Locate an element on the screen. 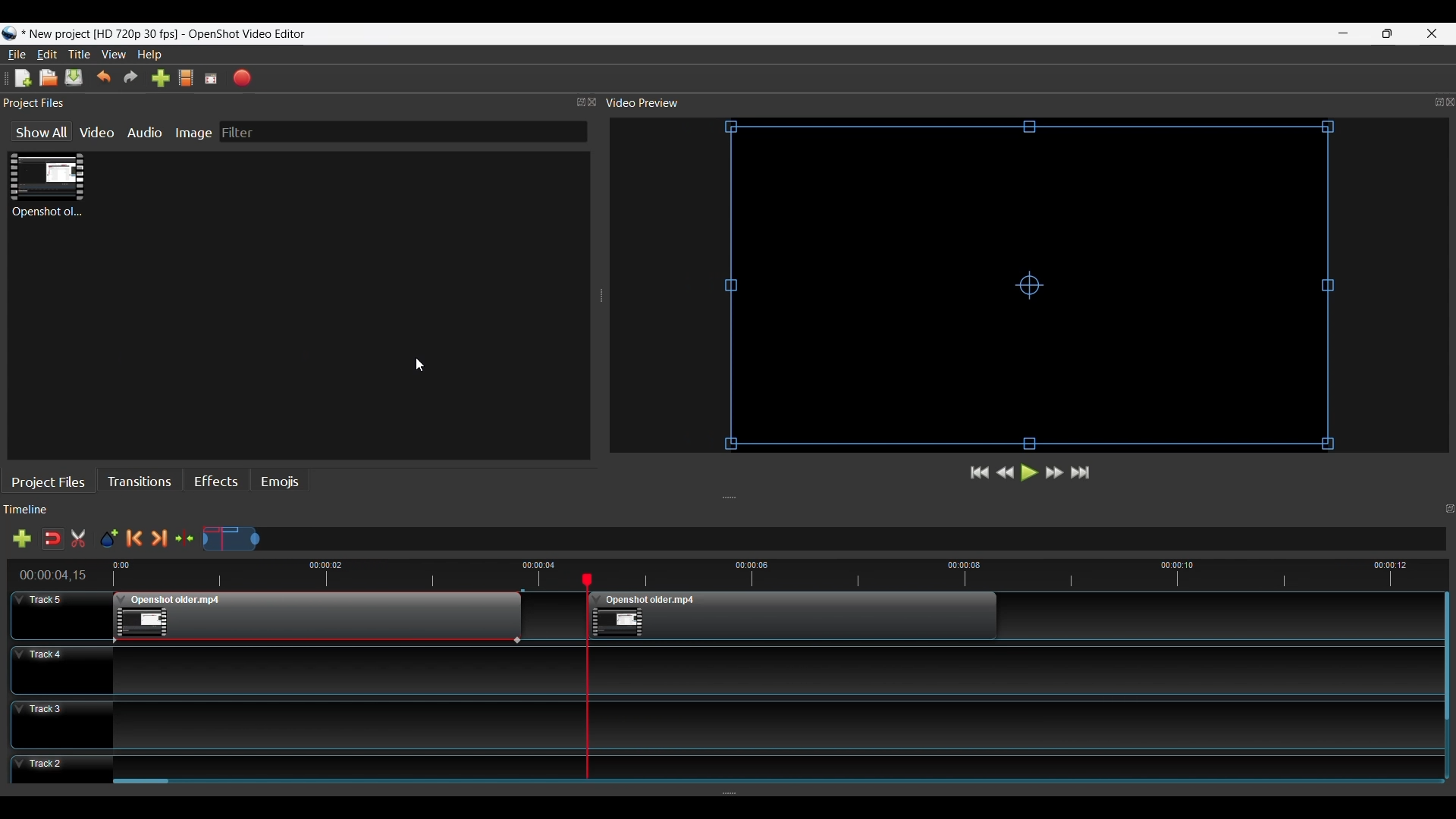 This screenshot has width=1456, height=819. Project Files is located at coordinates (52, 481).